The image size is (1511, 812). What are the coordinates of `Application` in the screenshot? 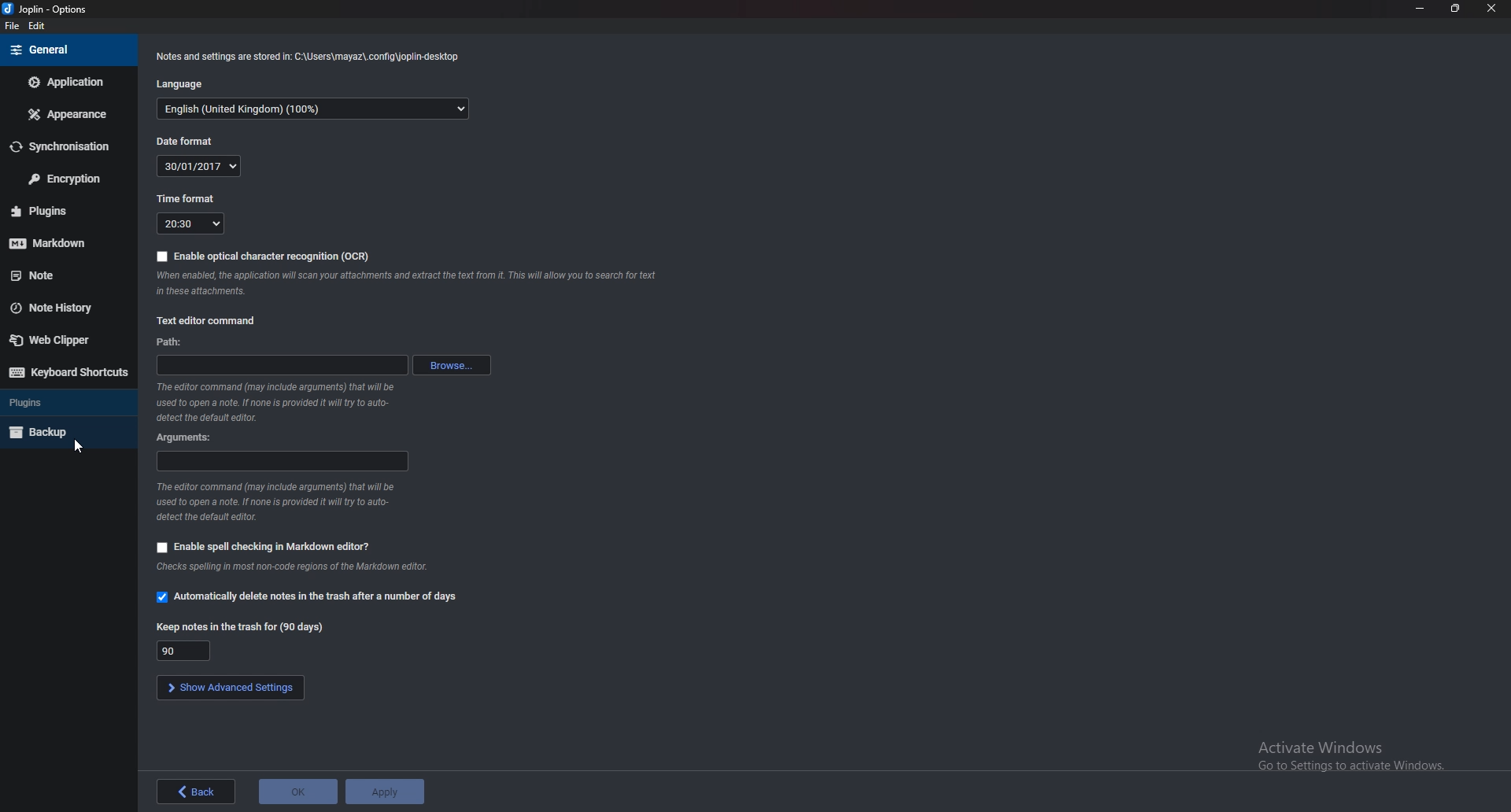 It's located at (68, 83).